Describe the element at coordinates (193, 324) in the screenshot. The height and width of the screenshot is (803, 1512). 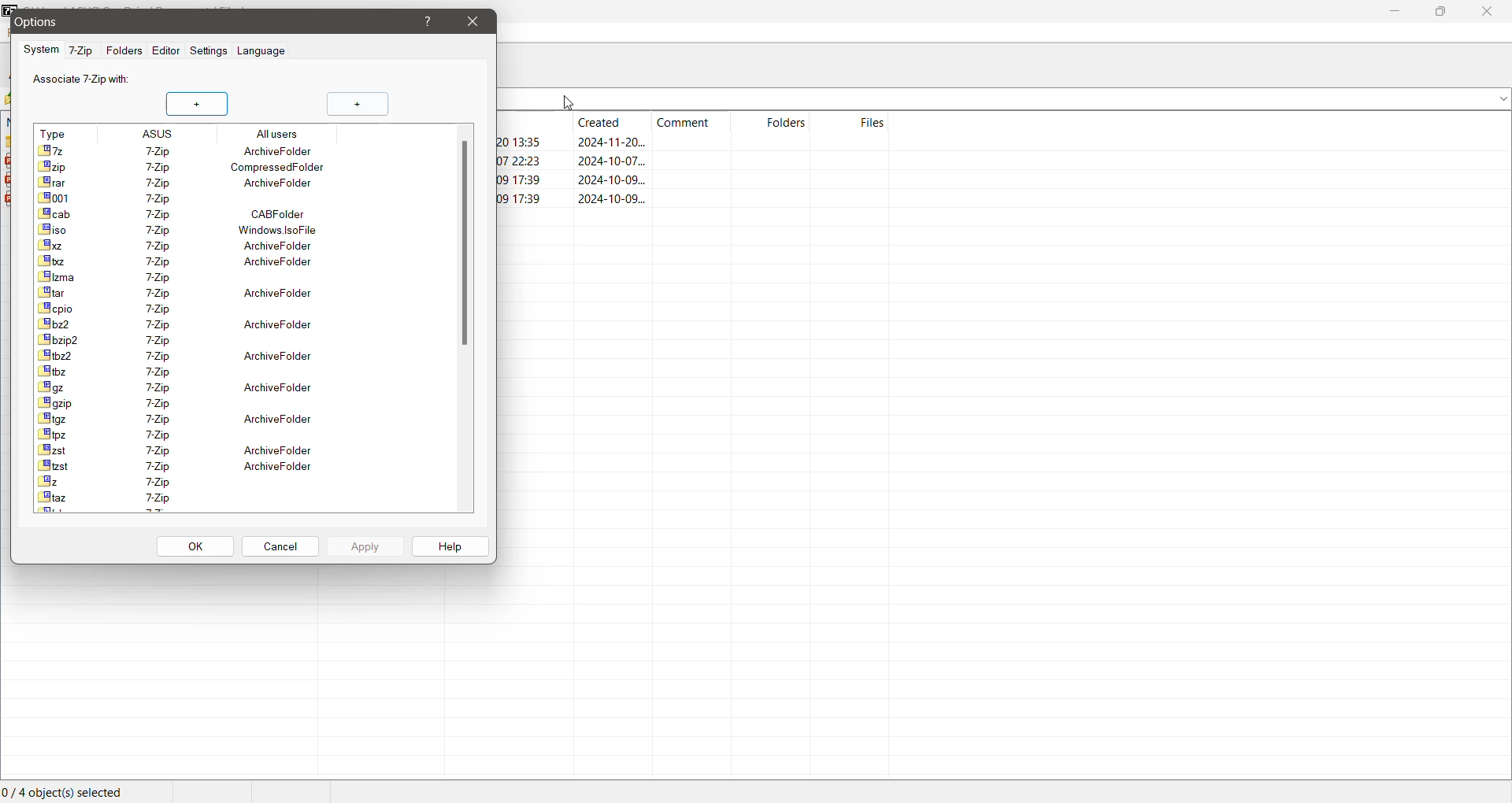
I see `Archived Folder` at that location.